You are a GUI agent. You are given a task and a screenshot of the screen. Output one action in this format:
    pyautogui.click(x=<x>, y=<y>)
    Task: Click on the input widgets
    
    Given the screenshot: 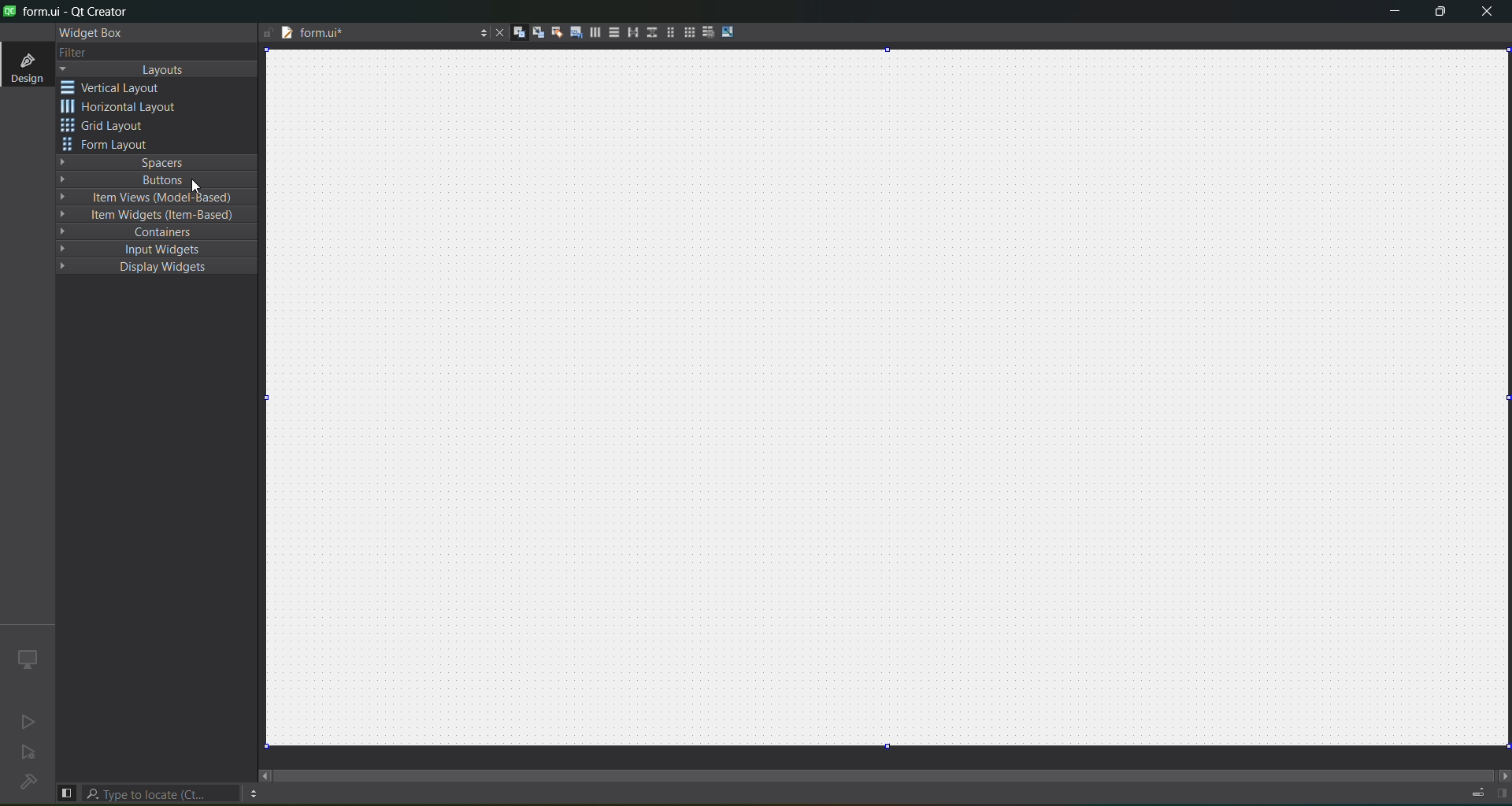 What is the action you would take?
    pyautogui.click(x=156, y=250)
    